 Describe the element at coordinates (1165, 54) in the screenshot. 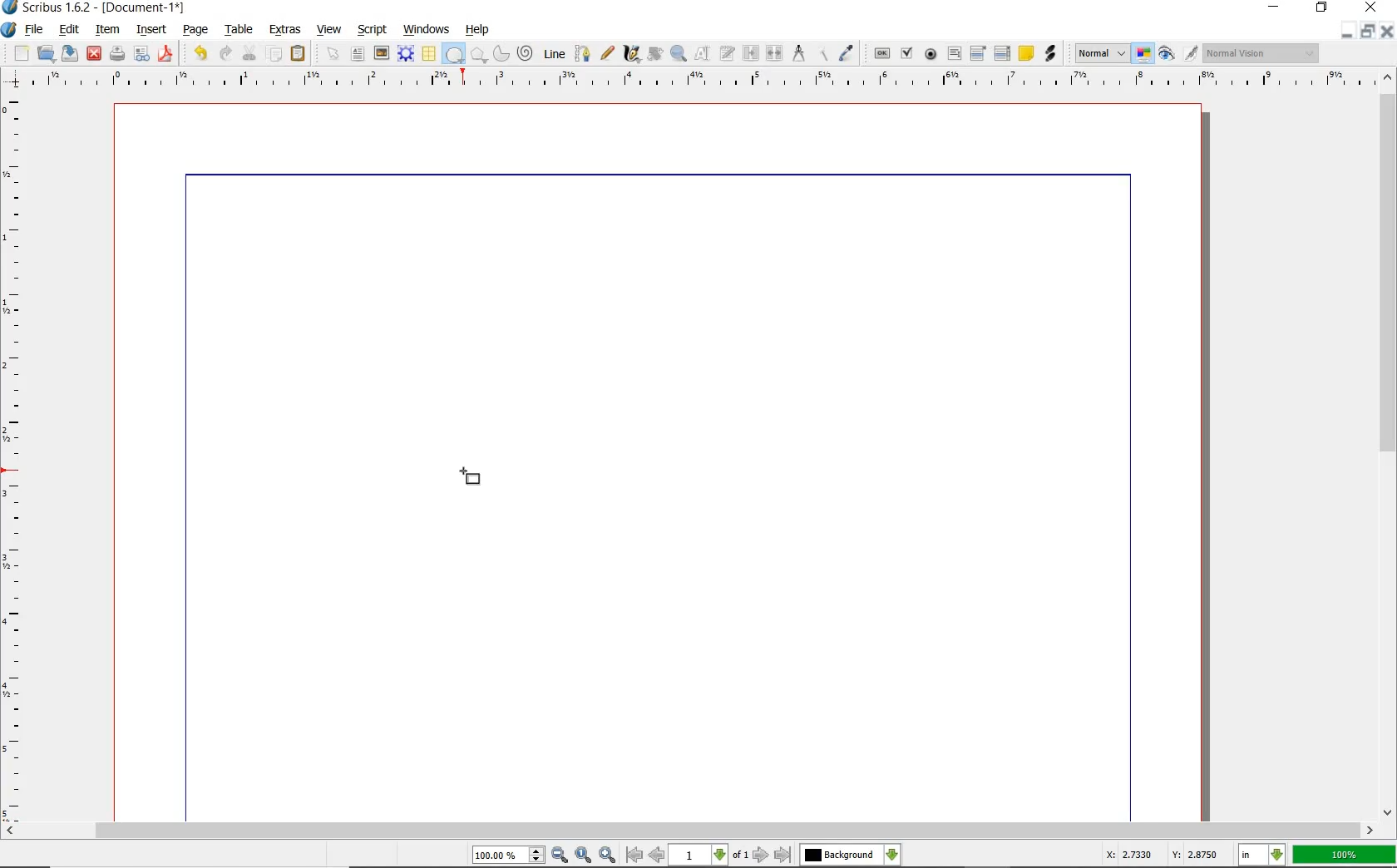

I see `PREVIEW MODE` at that location.